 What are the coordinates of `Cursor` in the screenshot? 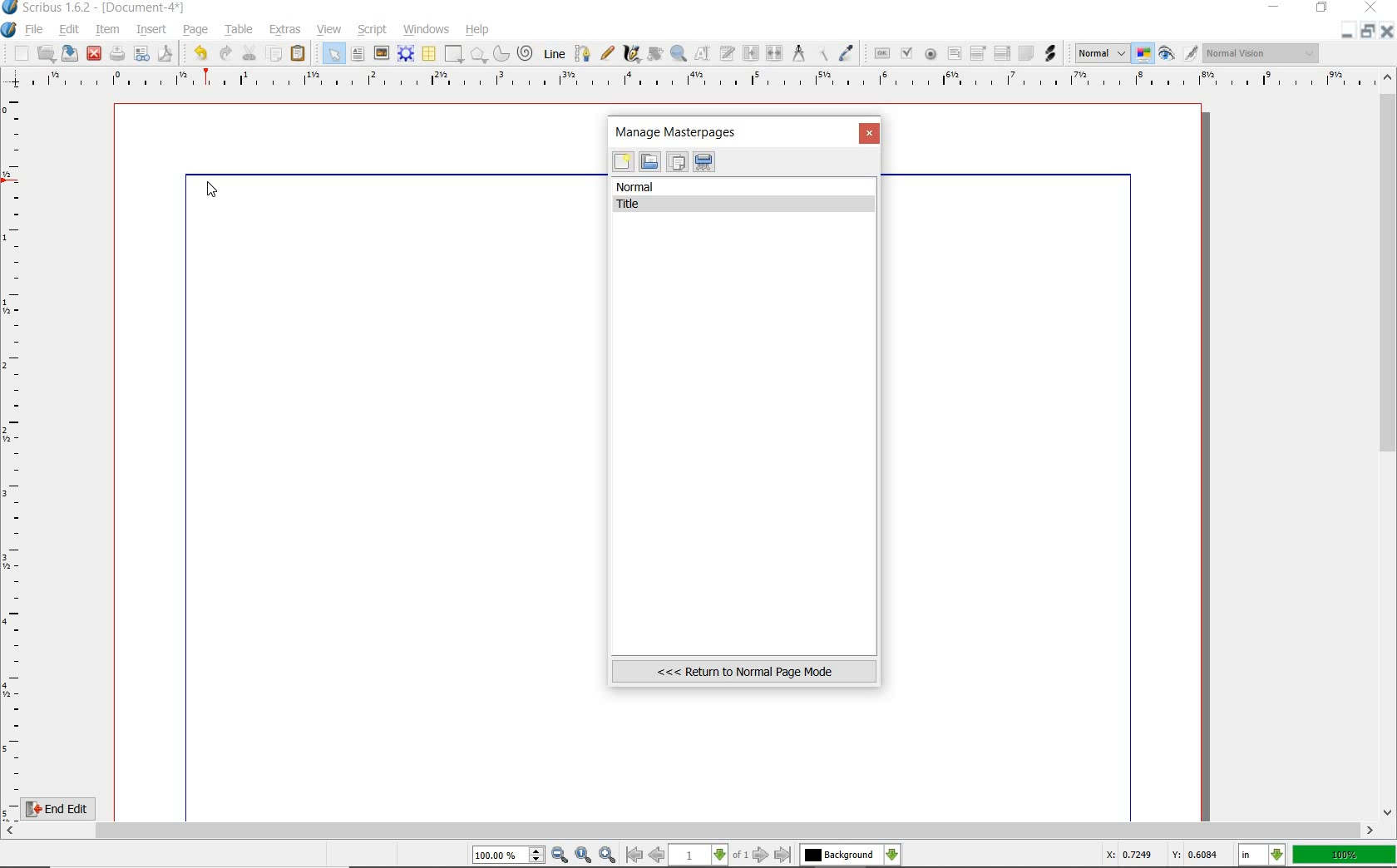 It's located at (211, 188).